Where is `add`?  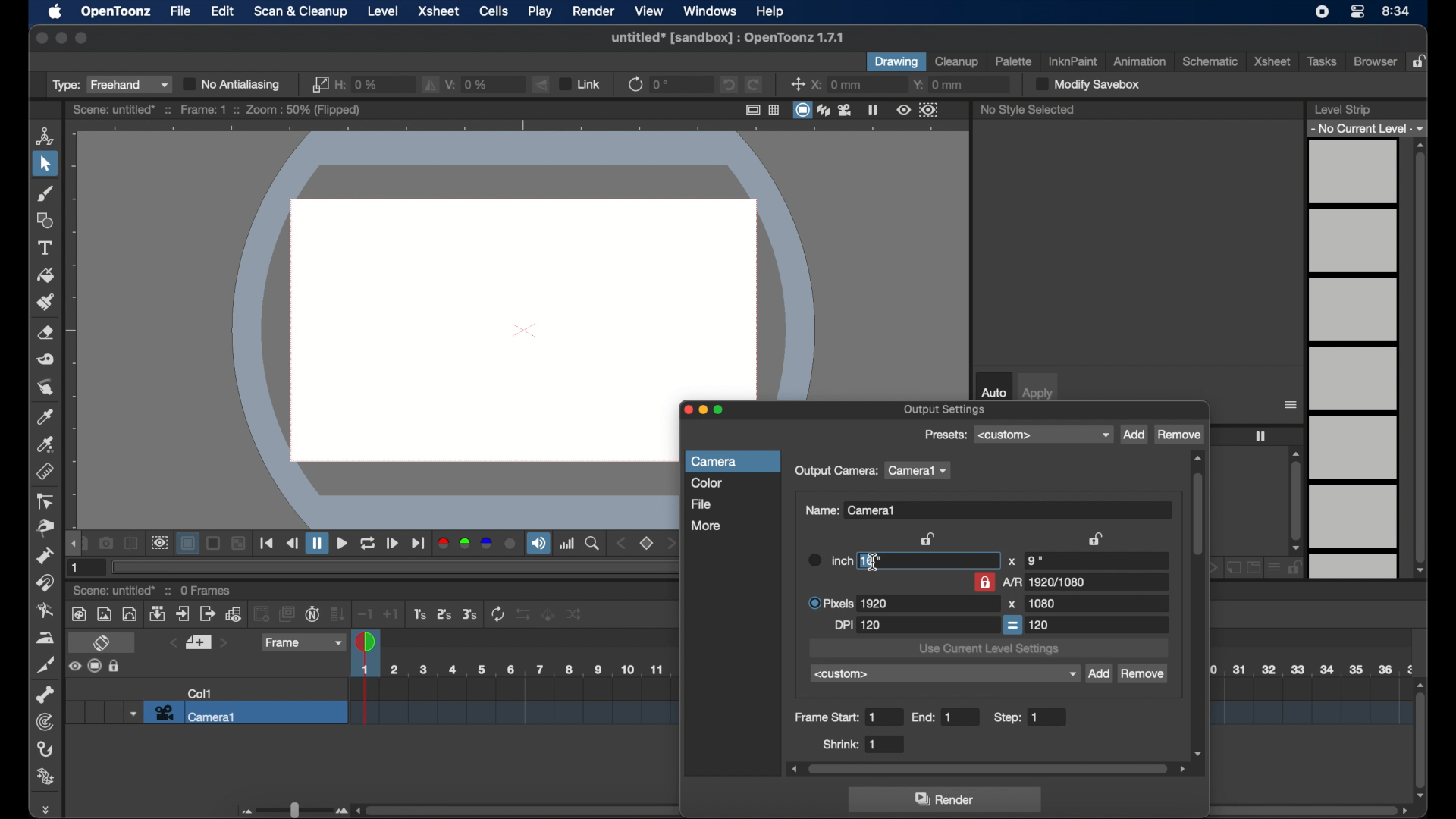
add is located at coordinates (1134, 435).